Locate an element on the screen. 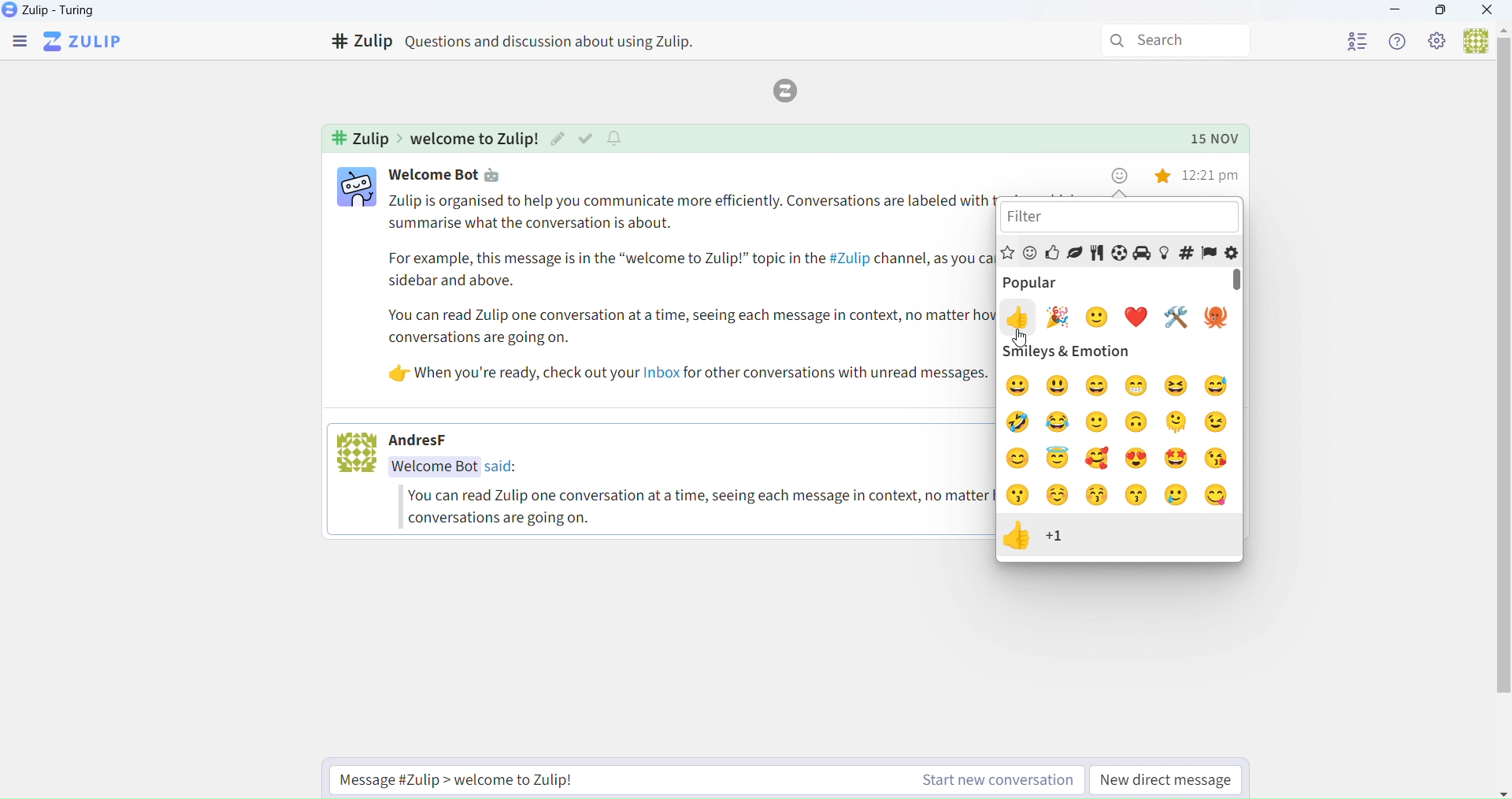 The height and width of the screenshot is (799, 1512). time is located at coordinates (1213, 176).